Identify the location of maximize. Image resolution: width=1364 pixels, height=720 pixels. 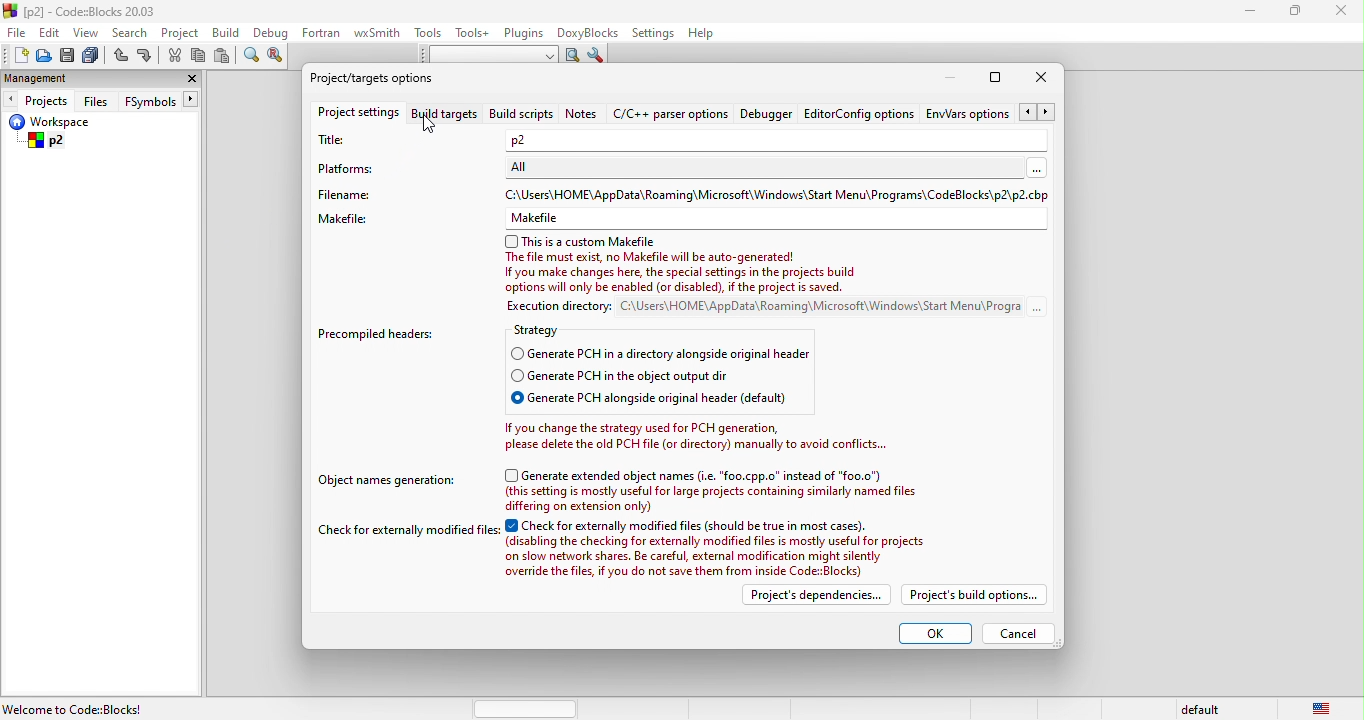
(1301, 13).